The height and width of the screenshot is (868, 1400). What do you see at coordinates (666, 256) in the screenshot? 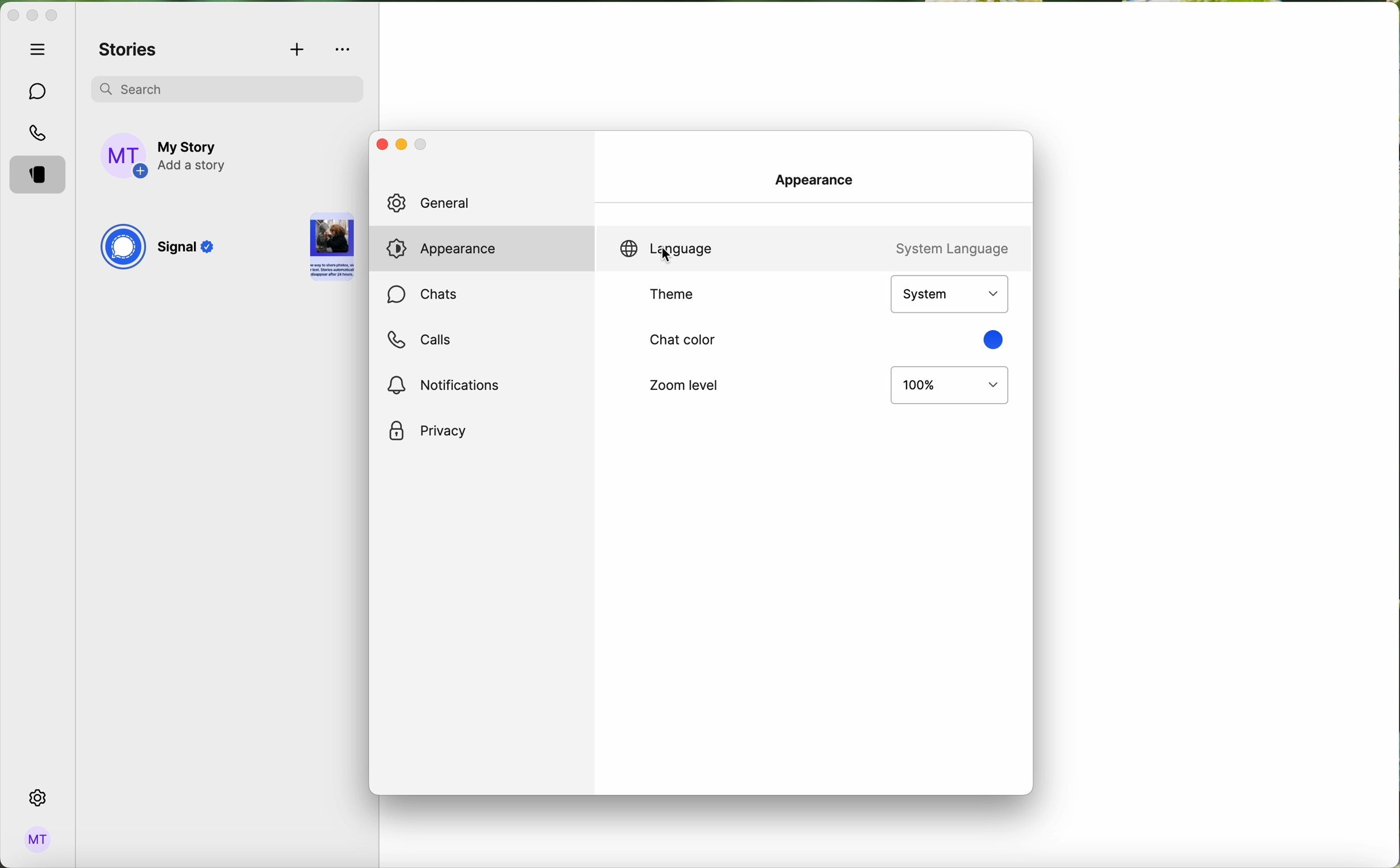
I see `cursor` at bounding box center [666, 256].